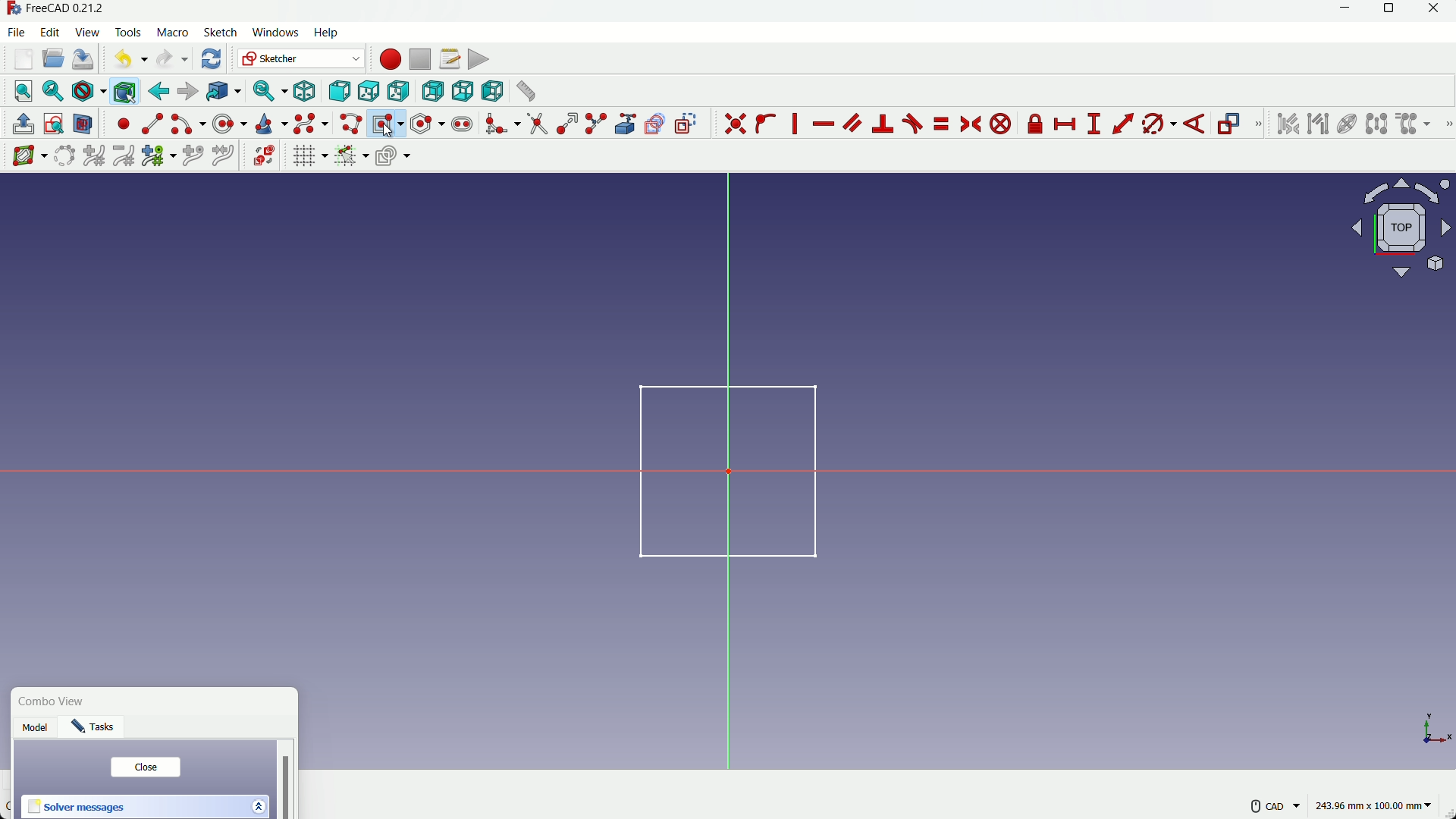  Describe the element at coordinates (767, 124) in the screenshot. I see `constraint point on to object` at that location.